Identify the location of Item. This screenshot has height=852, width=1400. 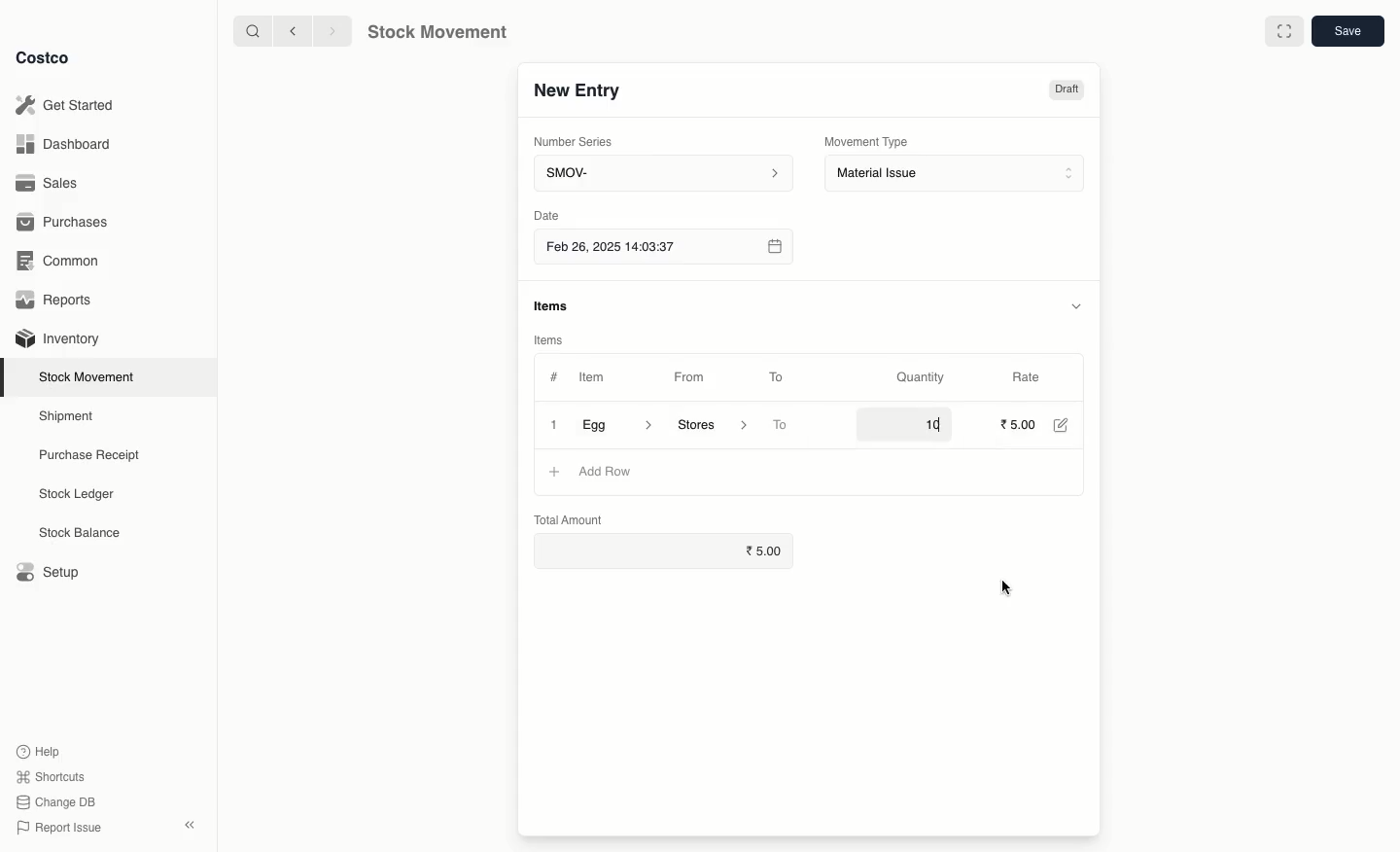
(602, 376).